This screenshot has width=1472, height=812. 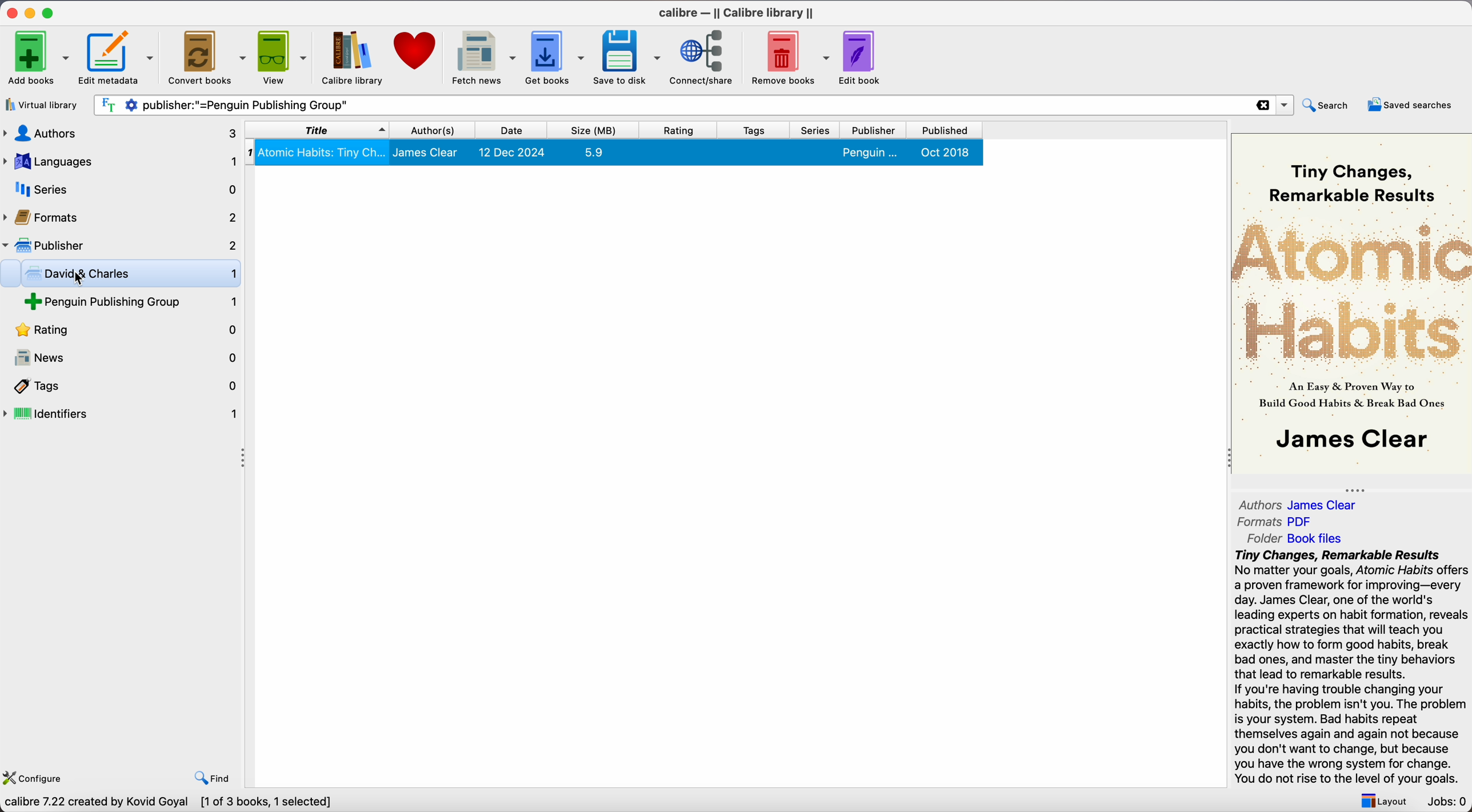 What do you see at coordinates (207, 56) in the screenshot?
I see `convert books` at bounding box center [207, 56].